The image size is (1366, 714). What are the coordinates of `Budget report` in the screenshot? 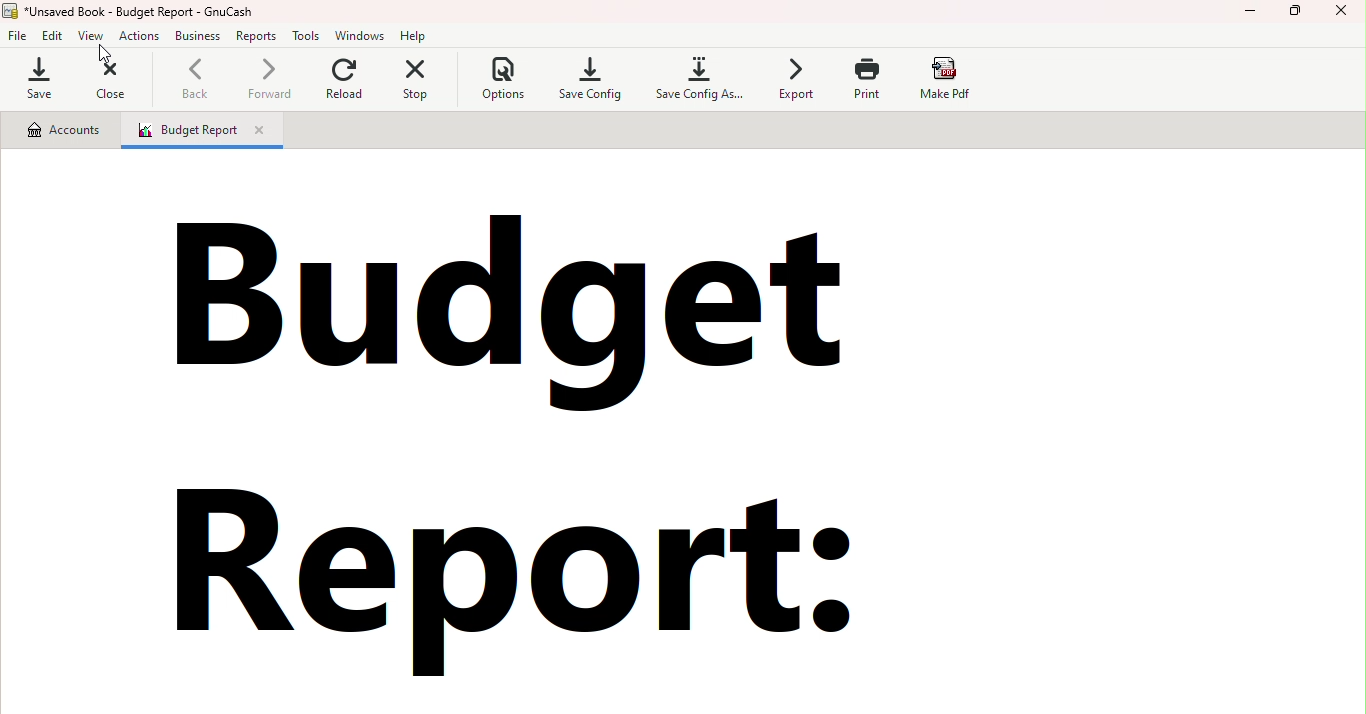 It's located at (179, 131).